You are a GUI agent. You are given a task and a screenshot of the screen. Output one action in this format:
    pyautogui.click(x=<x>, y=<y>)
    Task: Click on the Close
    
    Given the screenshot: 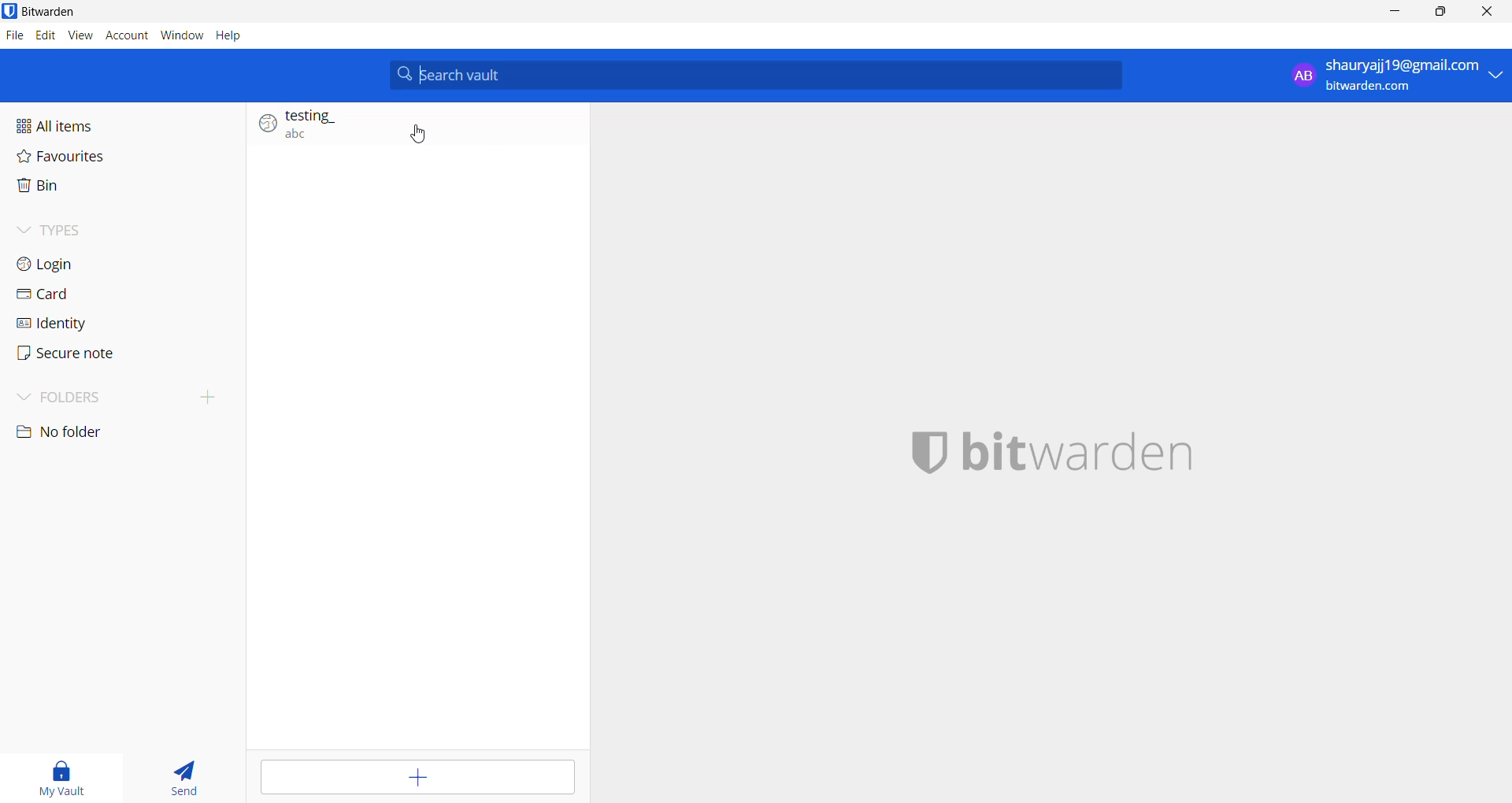 What is the action you would take?
    pyautogui.click(x=1492, y=14)
    